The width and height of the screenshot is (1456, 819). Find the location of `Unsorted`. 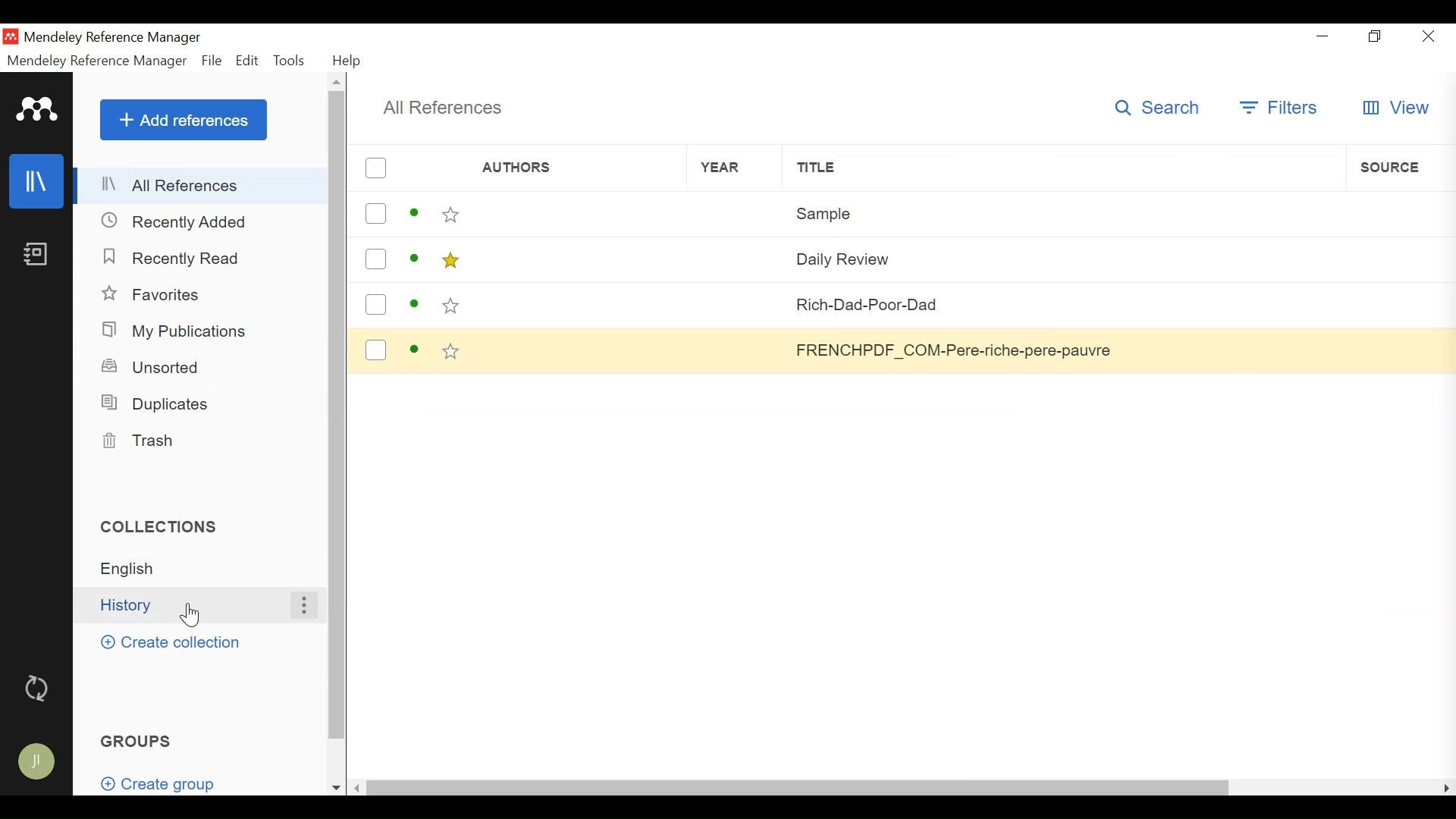

Unsorted is located at coordinates (154, 366).